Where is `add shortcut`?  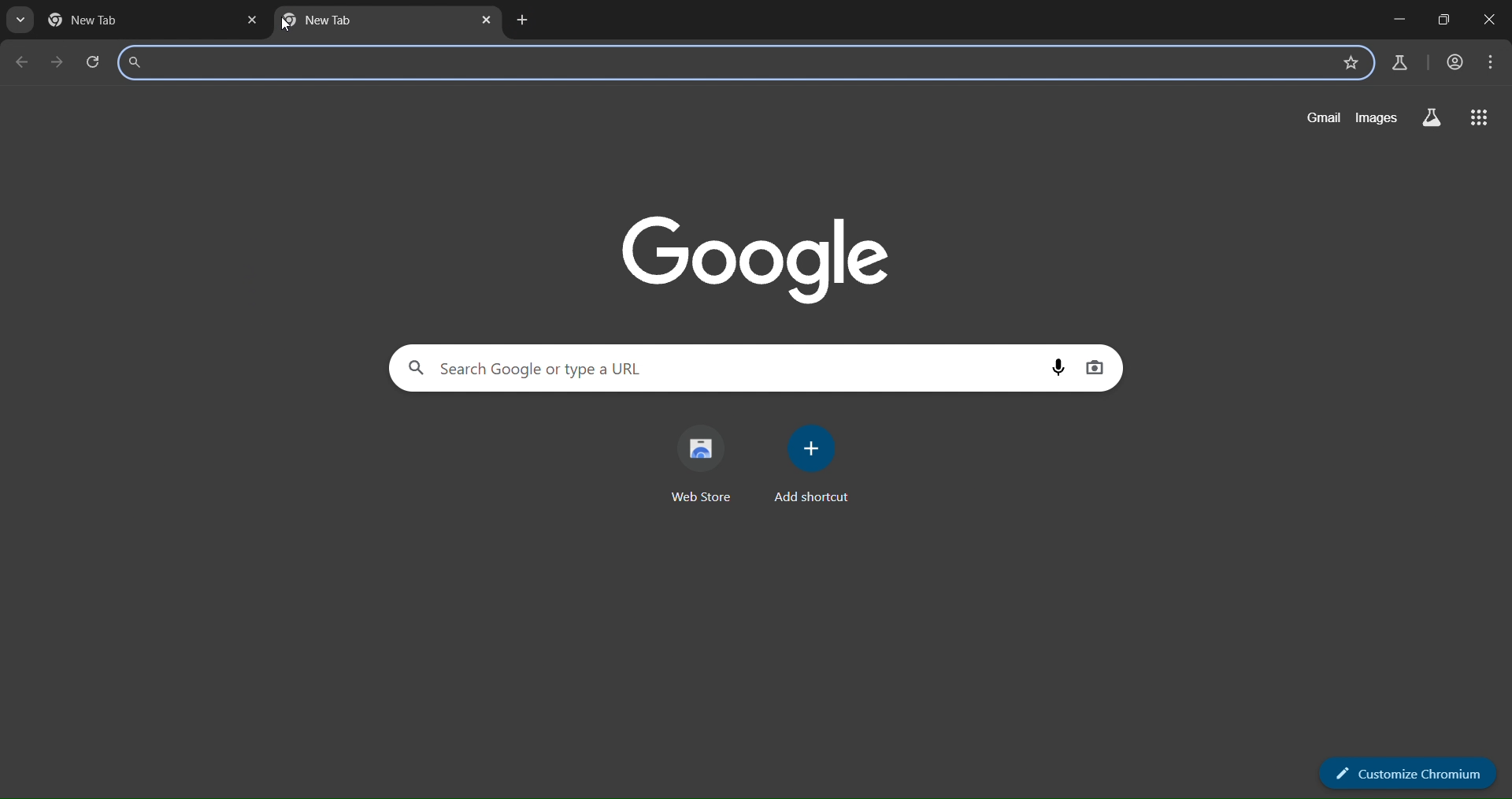
add shortcut is located at coordinates (818, 463).